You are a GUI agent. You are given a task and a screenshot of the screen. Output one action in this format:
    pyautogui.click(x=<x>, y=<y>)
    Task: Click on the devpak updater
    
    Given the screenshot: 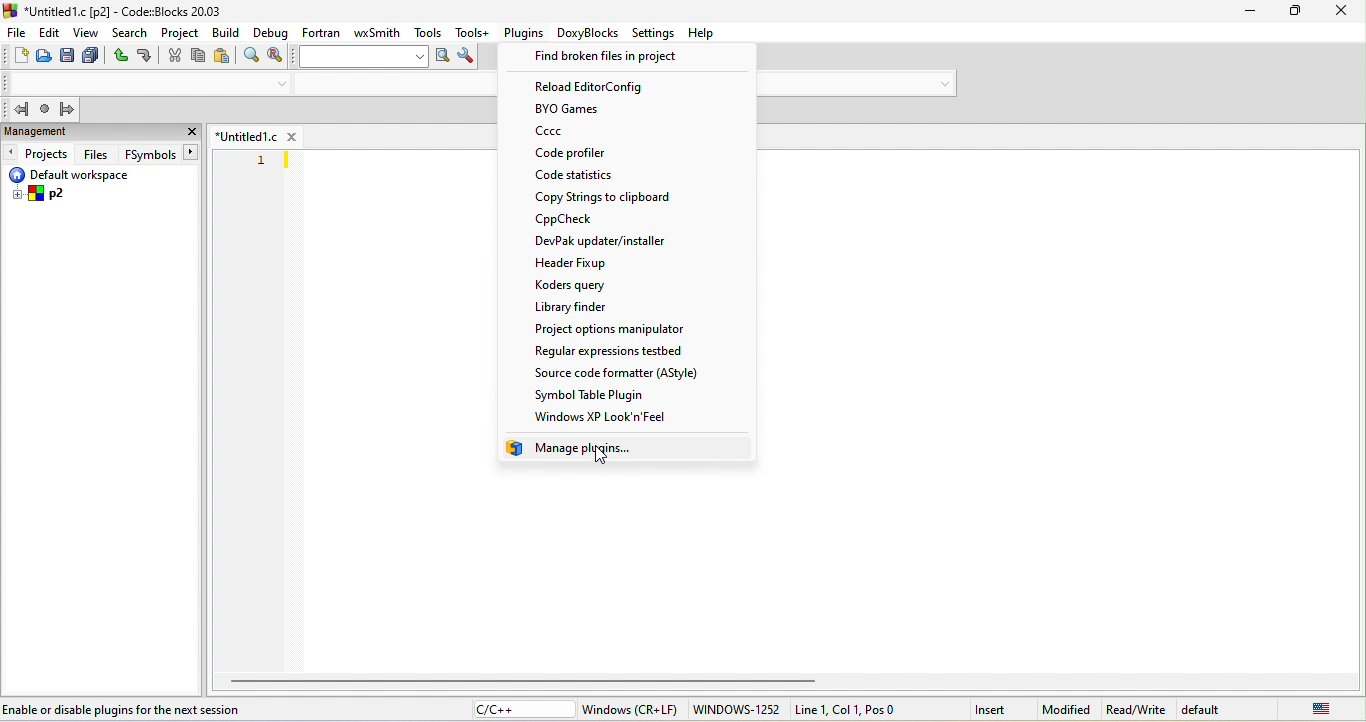 What is the action you would take?
    pyautogui.click(x=605, y=240)
    